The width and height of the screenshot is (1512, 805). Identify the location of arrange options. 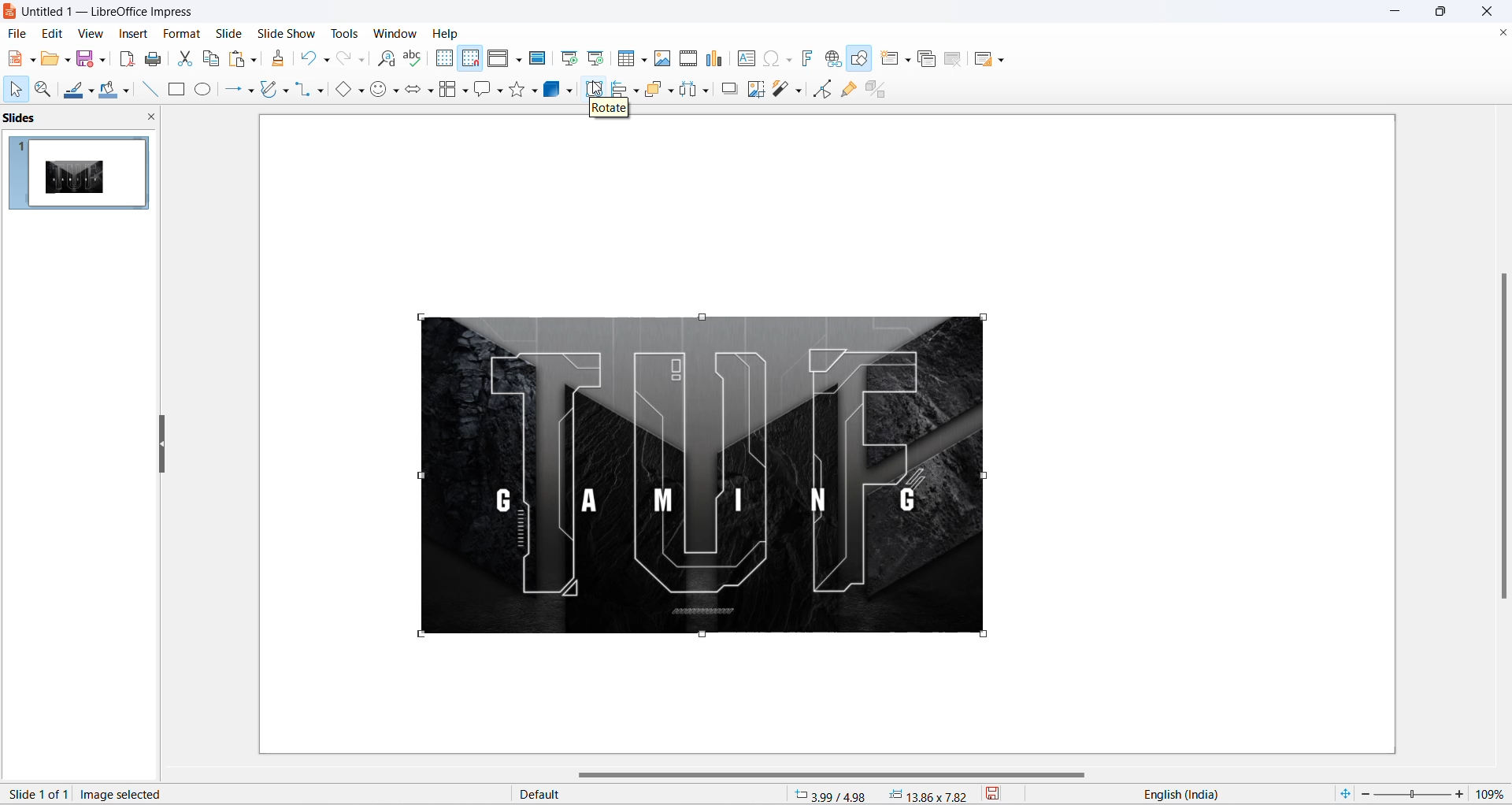
(673, 91).